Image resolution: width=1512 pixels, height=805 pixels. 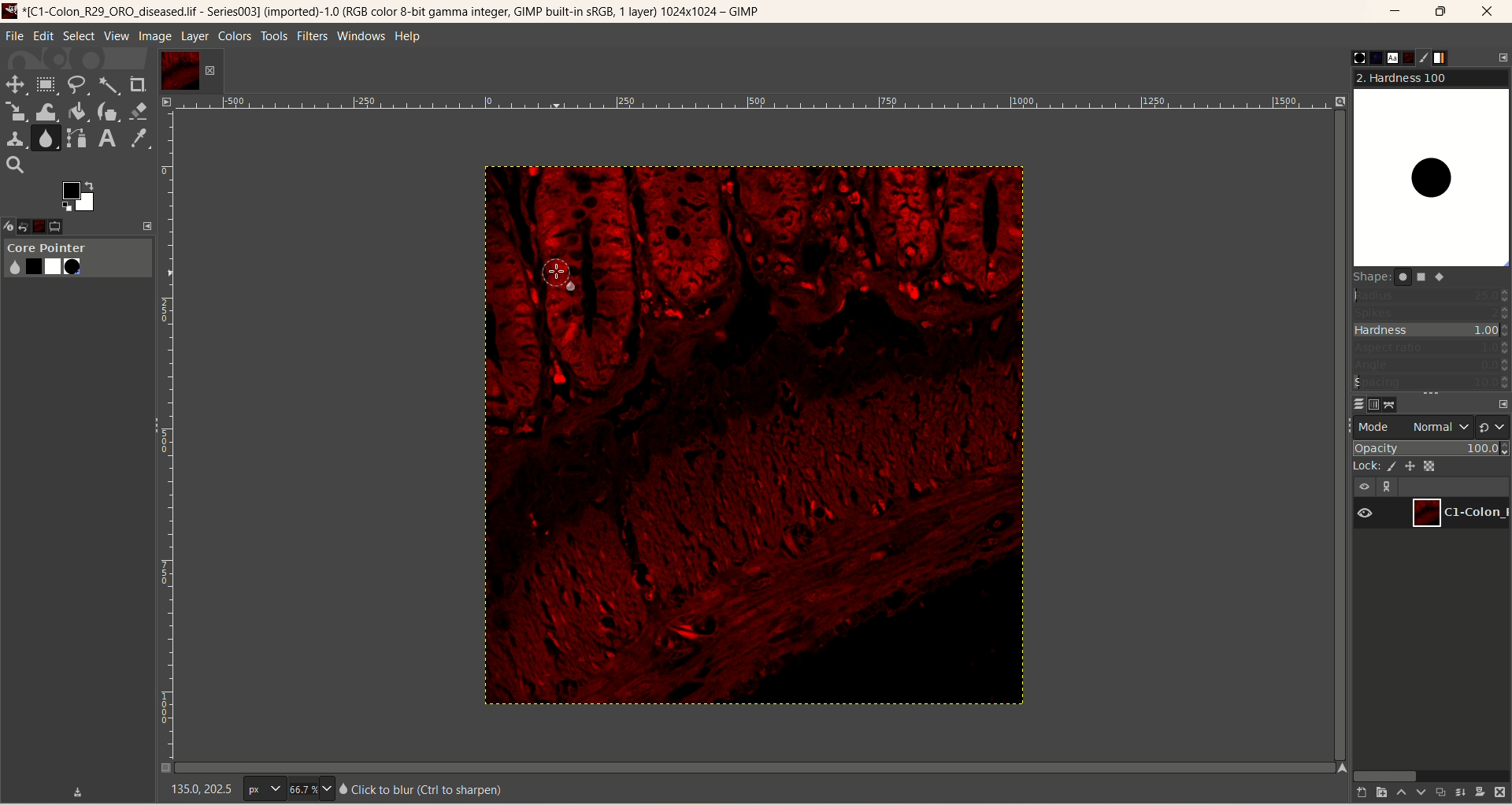 I want to click on lock alpha channel, so click(x=1438, y=466).